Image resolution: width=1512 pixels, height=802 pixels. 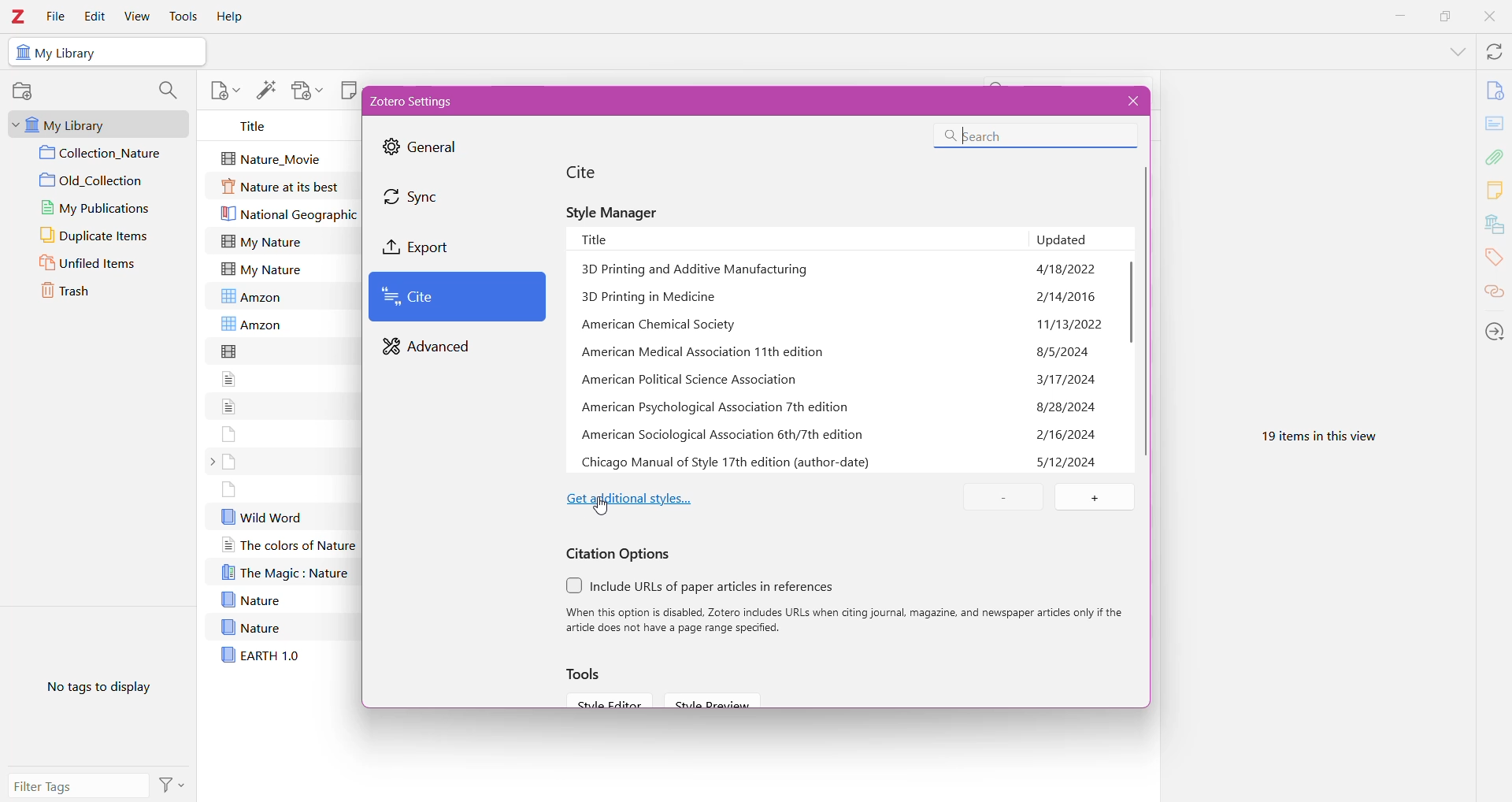 What do you see at coordinates (1067, 297) in the screenshot?
I see `2/14/2016` at bounding box center [1067, 297].